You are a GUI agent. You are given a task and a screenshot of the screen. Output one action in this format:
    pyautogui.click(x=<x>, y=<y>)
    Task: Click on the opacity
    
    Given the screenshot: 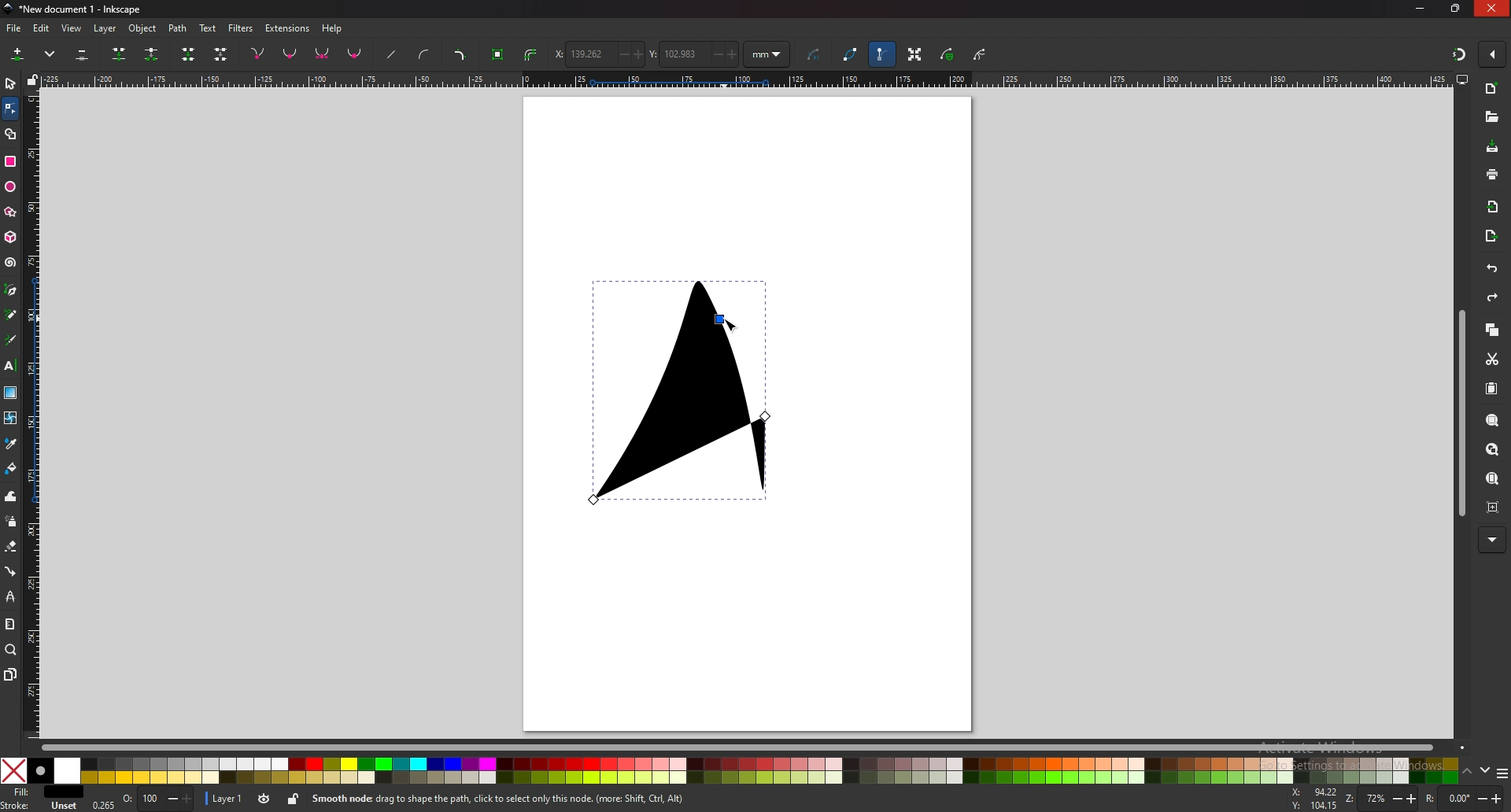 What is the action you would take?
    pyautogui.click(x=157, y=799)
    